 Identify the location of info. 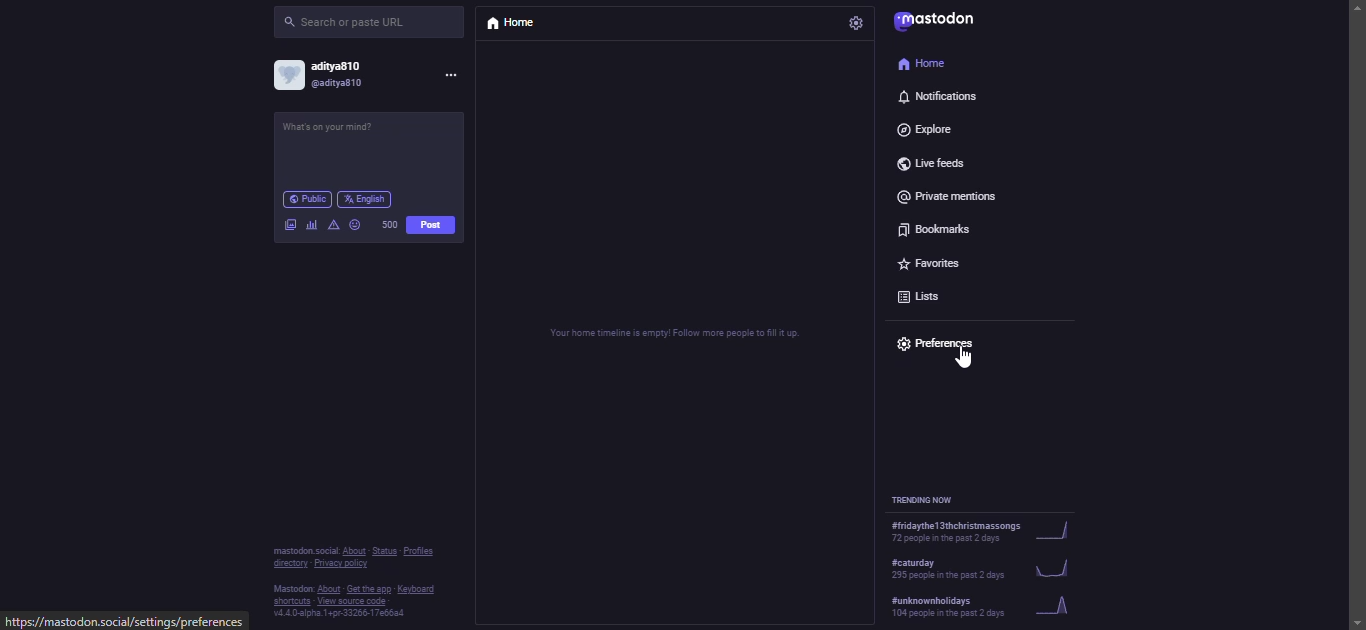
(353, 581).